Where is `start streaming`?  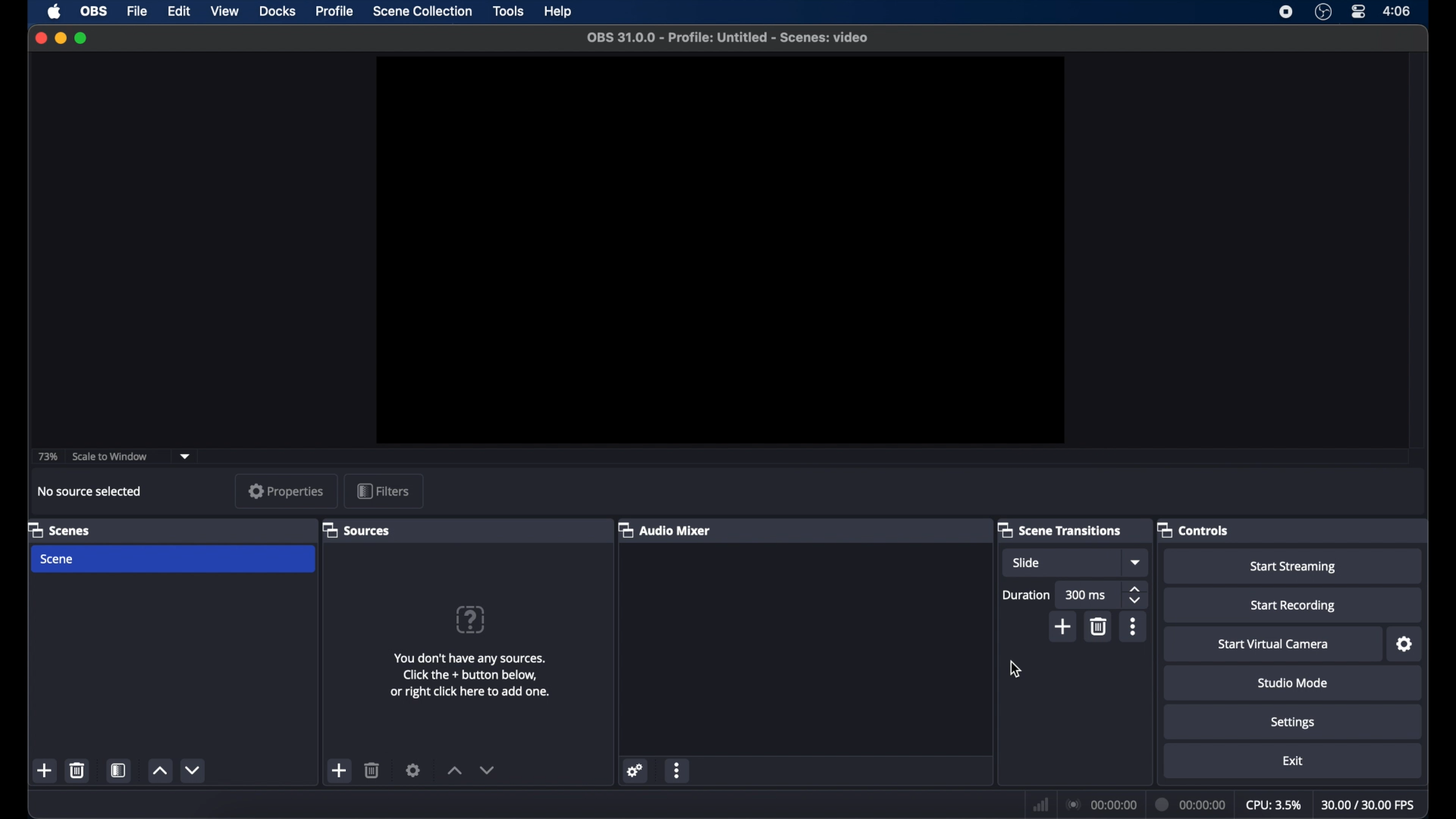 start streaming is located at coordinates (1293, 567).